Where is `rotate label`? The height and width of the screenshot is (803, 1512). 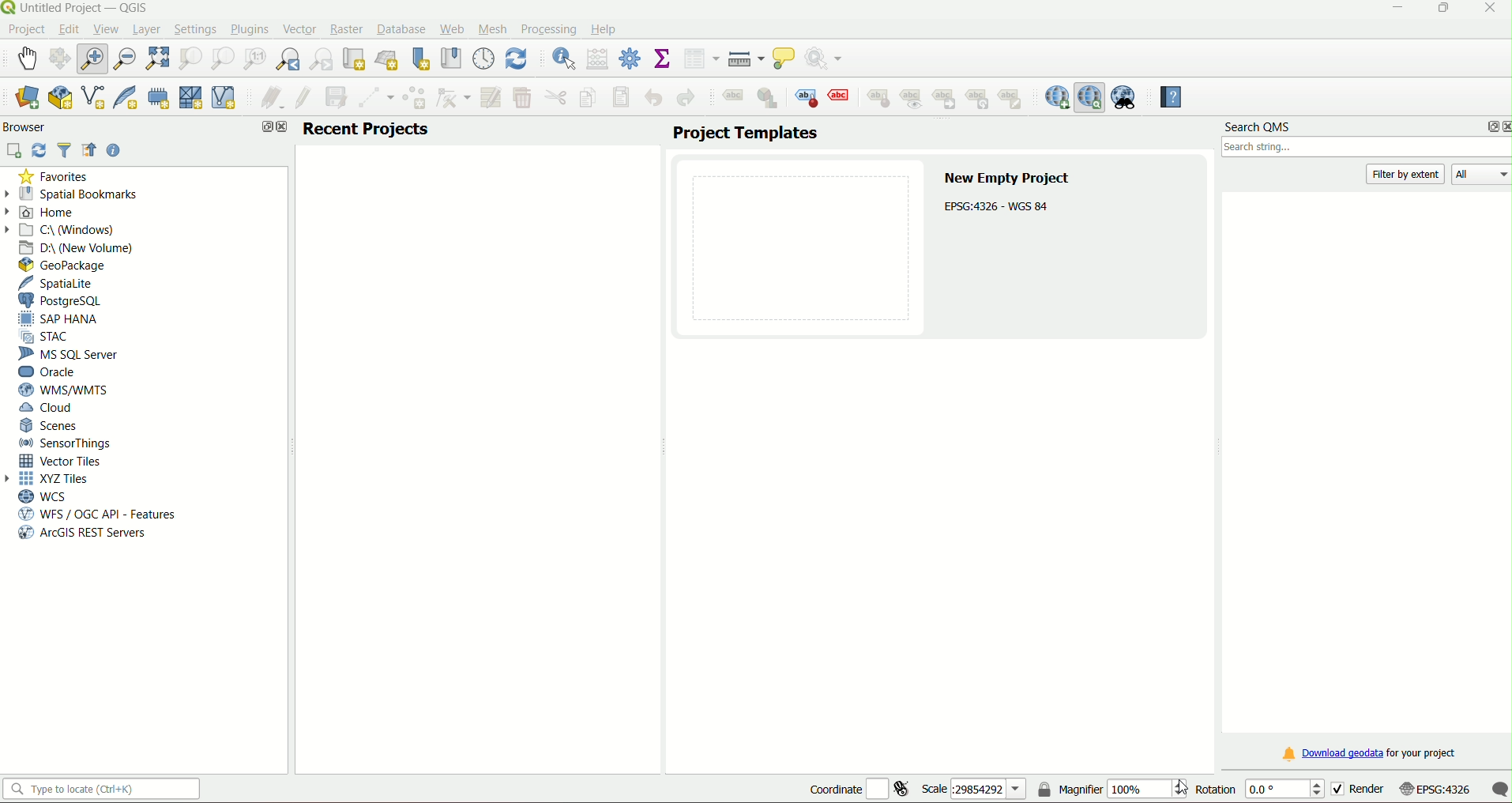 rotate label is located at coordinates (980, 100).